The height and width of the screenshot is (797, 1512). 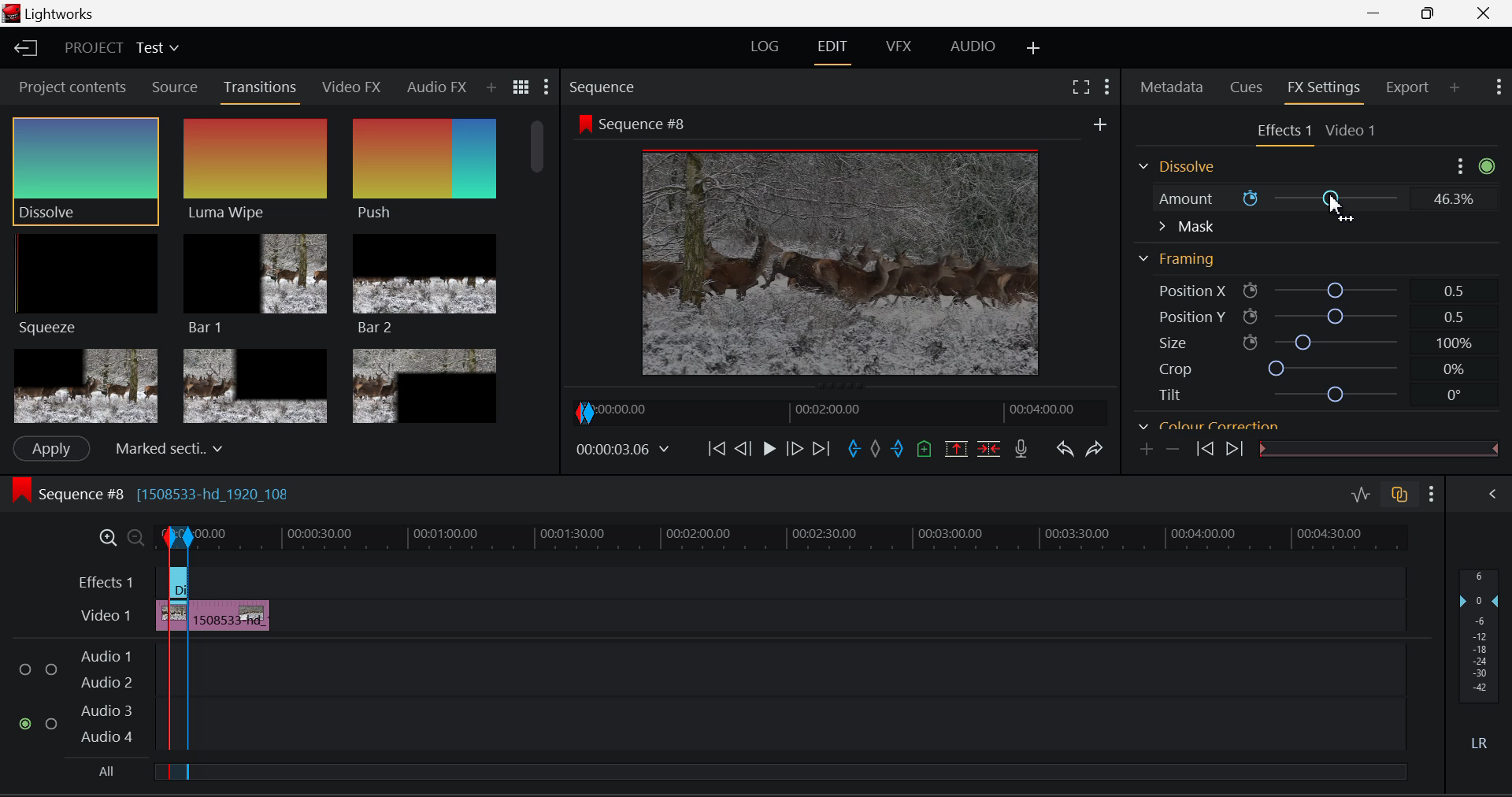 What do you see at coordinates (765, 50) in the screenshot?
I see `LOG Layout` at bounding box center [765, 50].